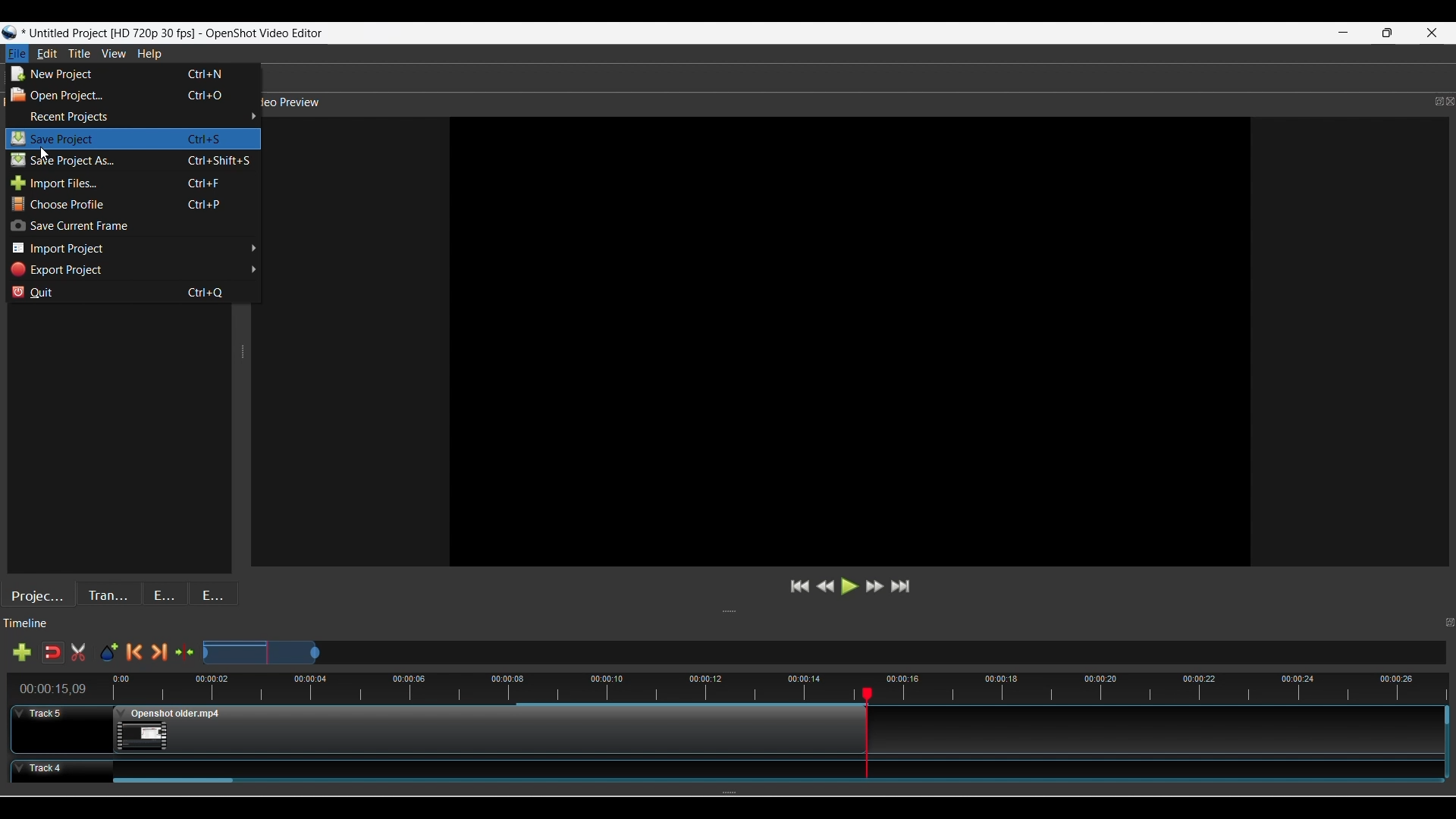 This screenshot has width=1456, height=819. What do you see at coordinates (38, 594) in the screenshot?
I see `Project files` at bounding box center [38, 594].